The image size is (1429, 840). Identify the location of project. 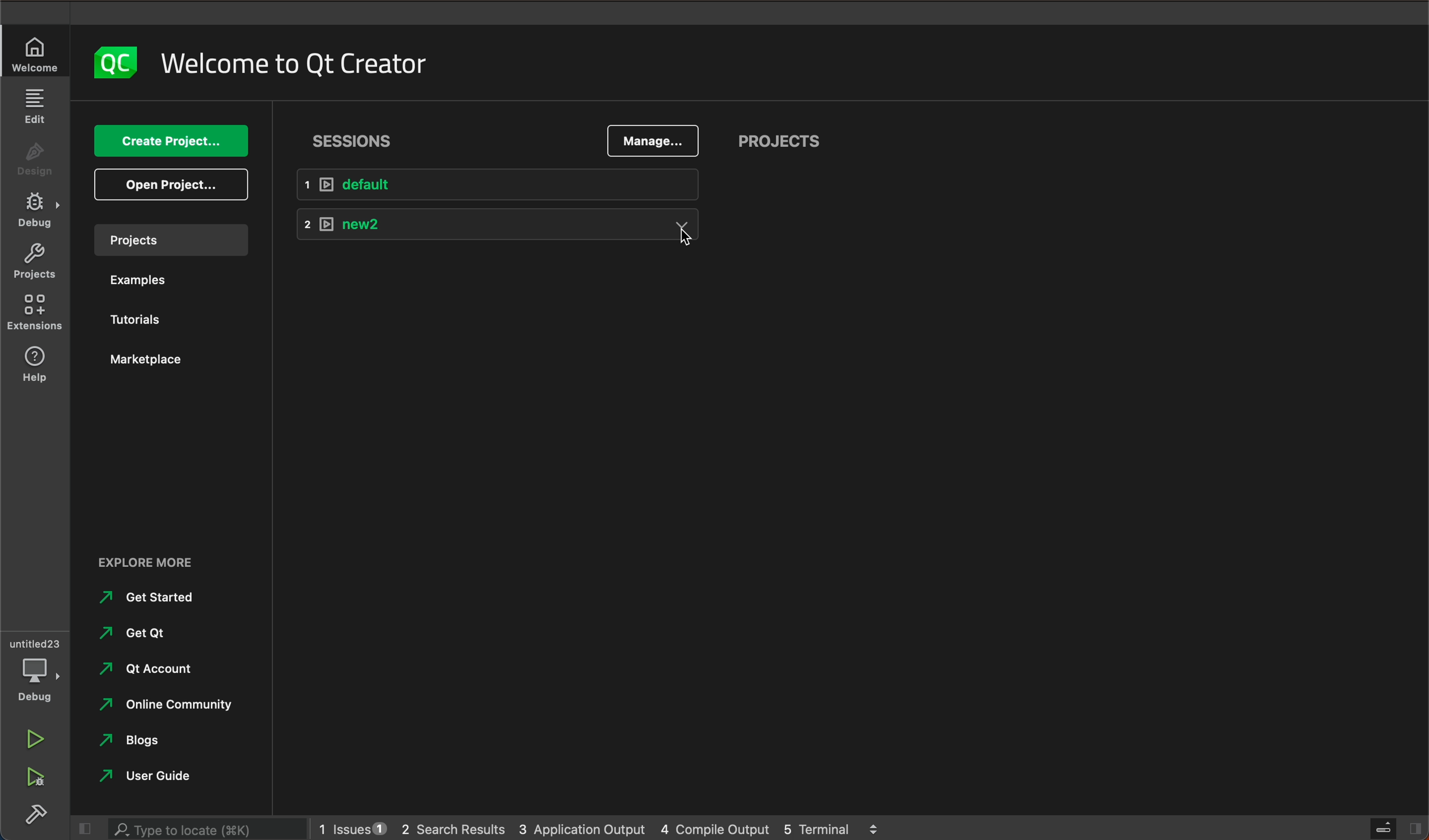
(168, 238).